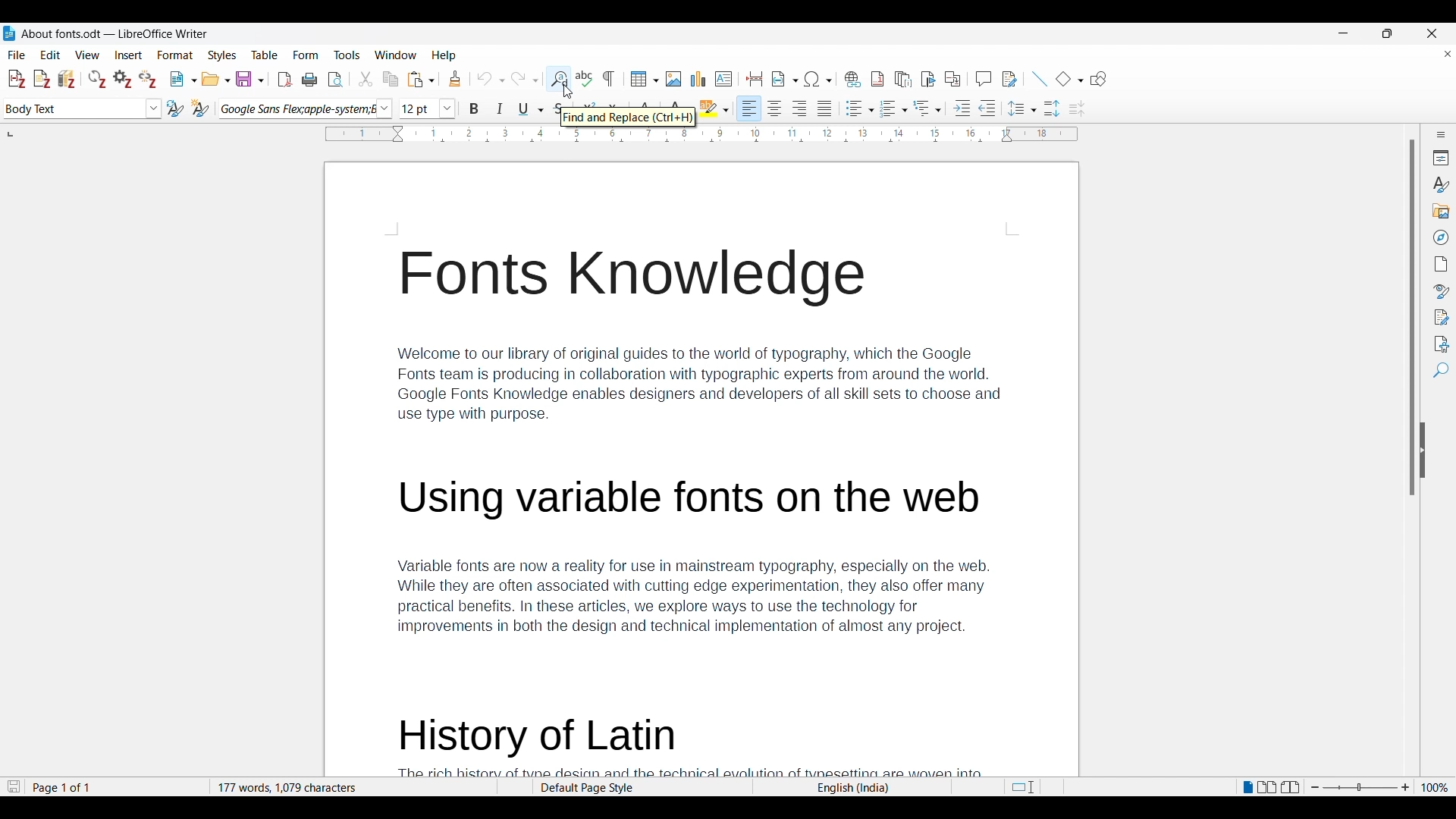 This screenshot has height=819, width=1456. I want to click on Help menu, so click(444, 55).